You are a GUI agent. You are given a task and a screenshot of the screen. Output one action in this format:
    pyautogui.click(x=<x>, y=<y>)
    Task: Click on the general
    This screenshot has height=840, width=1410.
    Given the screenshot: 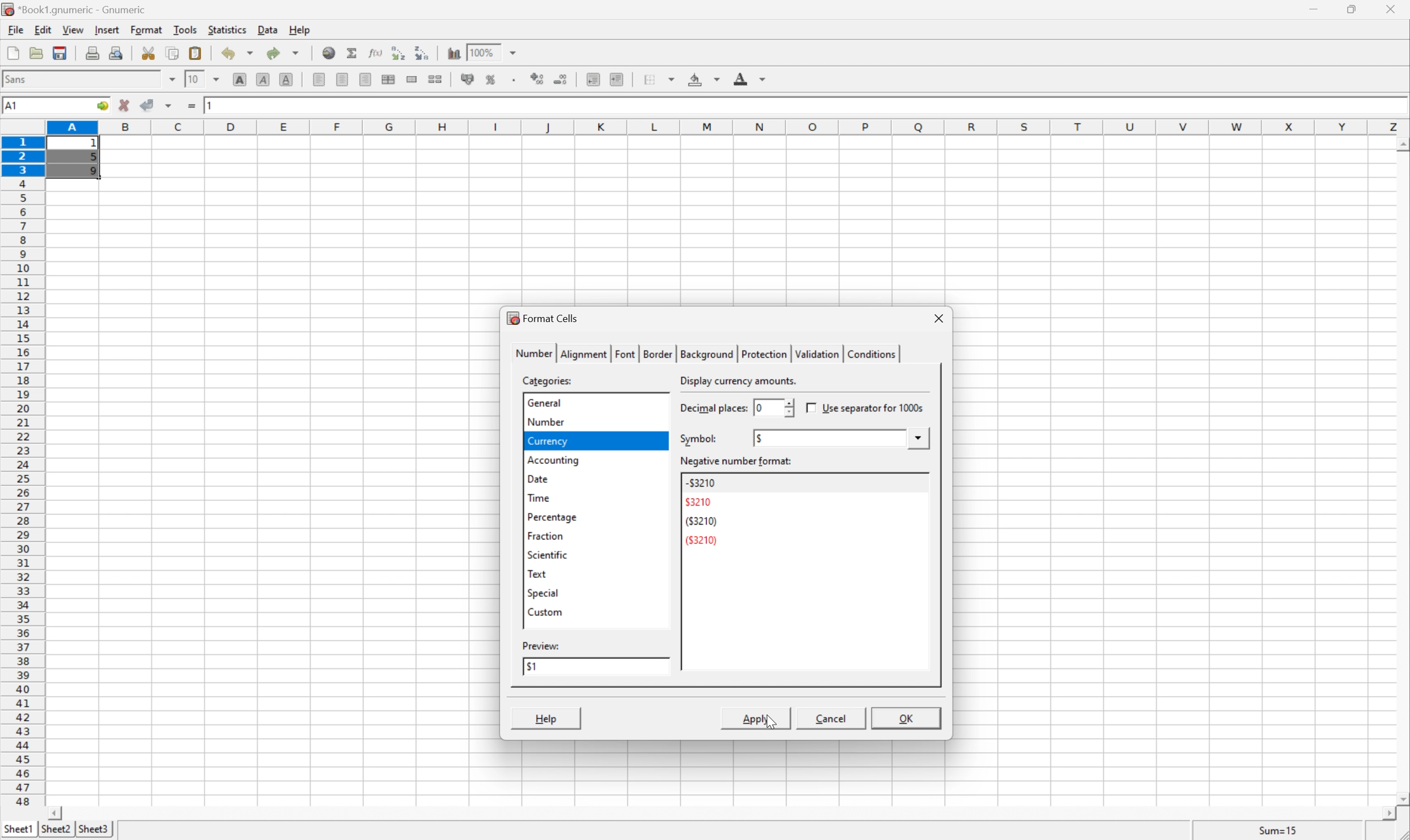 What is the action you would take?
    pyautogui.click(x=545, y=401)
    